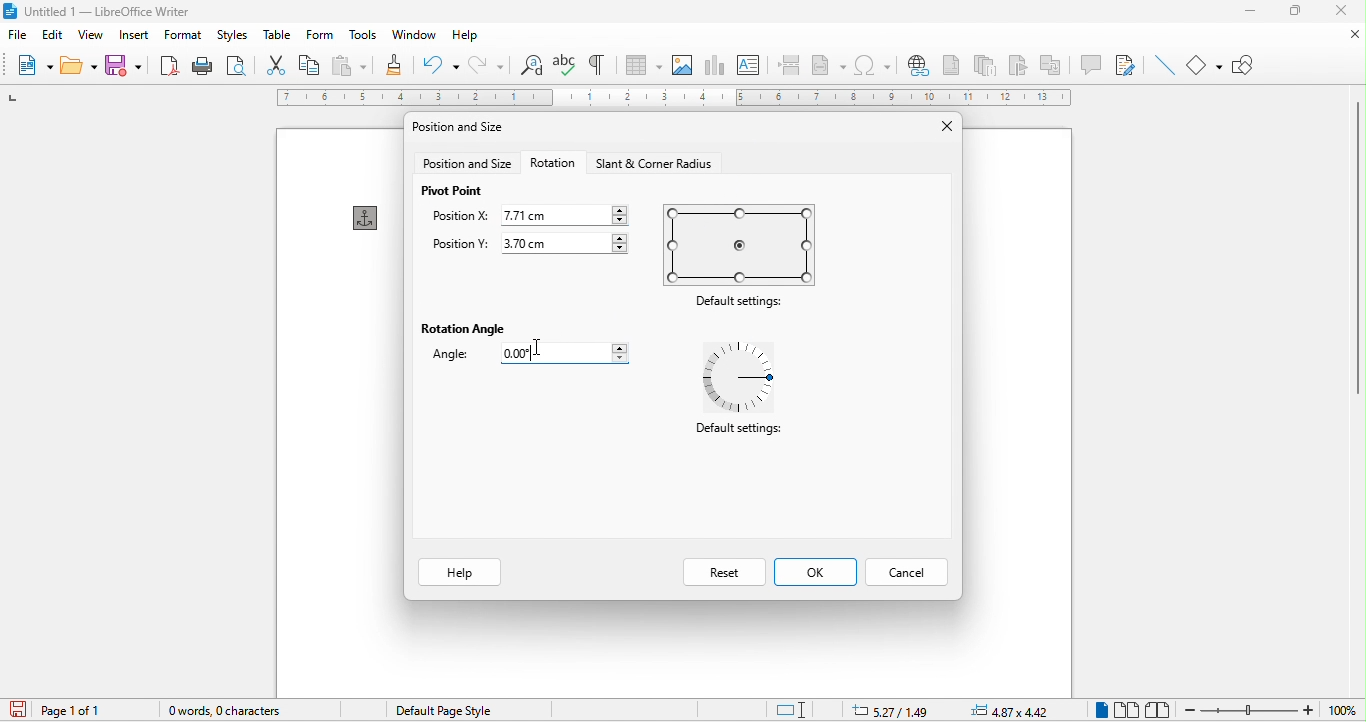 The image size is (1366, 722). What do you see at coordinates (1128, 711) in the screenshot?
I see `multiple page view` at bounding box center [1128, 711].